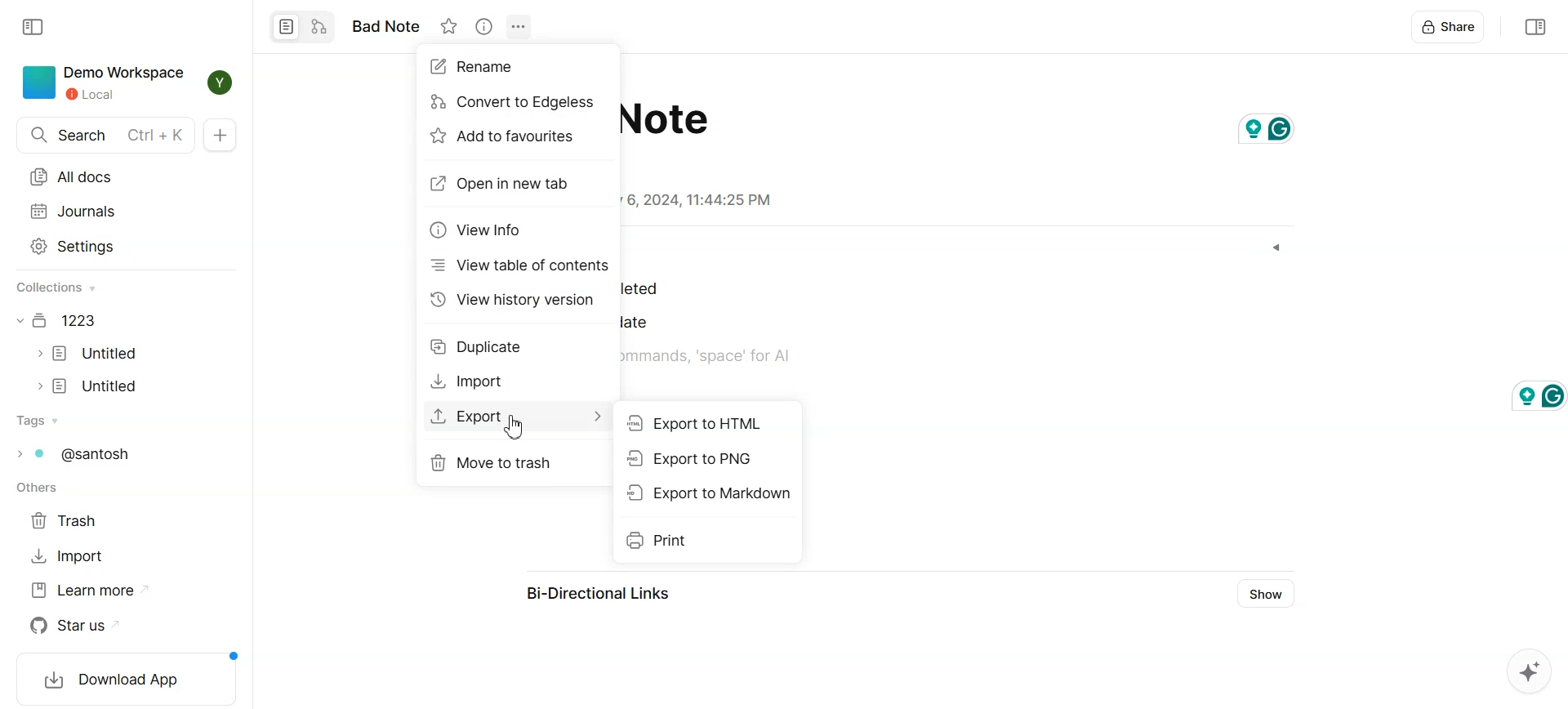 The height and width of the screenshot is (709, 1568). Describe the element at coordinates (1450, 29) in the screenshot. I see `Share` at that location.